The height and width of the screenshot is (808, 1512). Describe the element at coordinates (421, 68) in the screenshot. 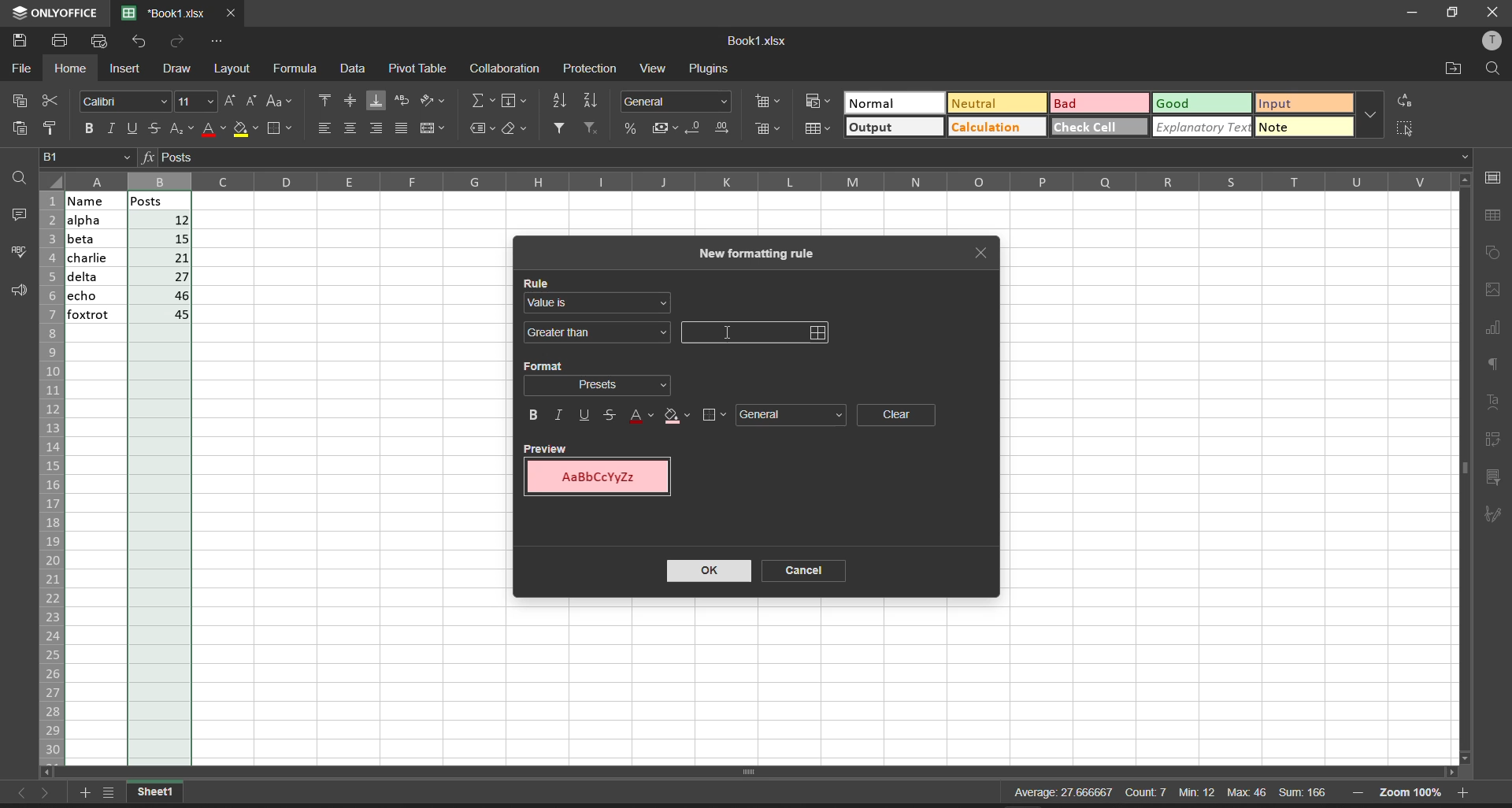

I see `pivot table` at that location.